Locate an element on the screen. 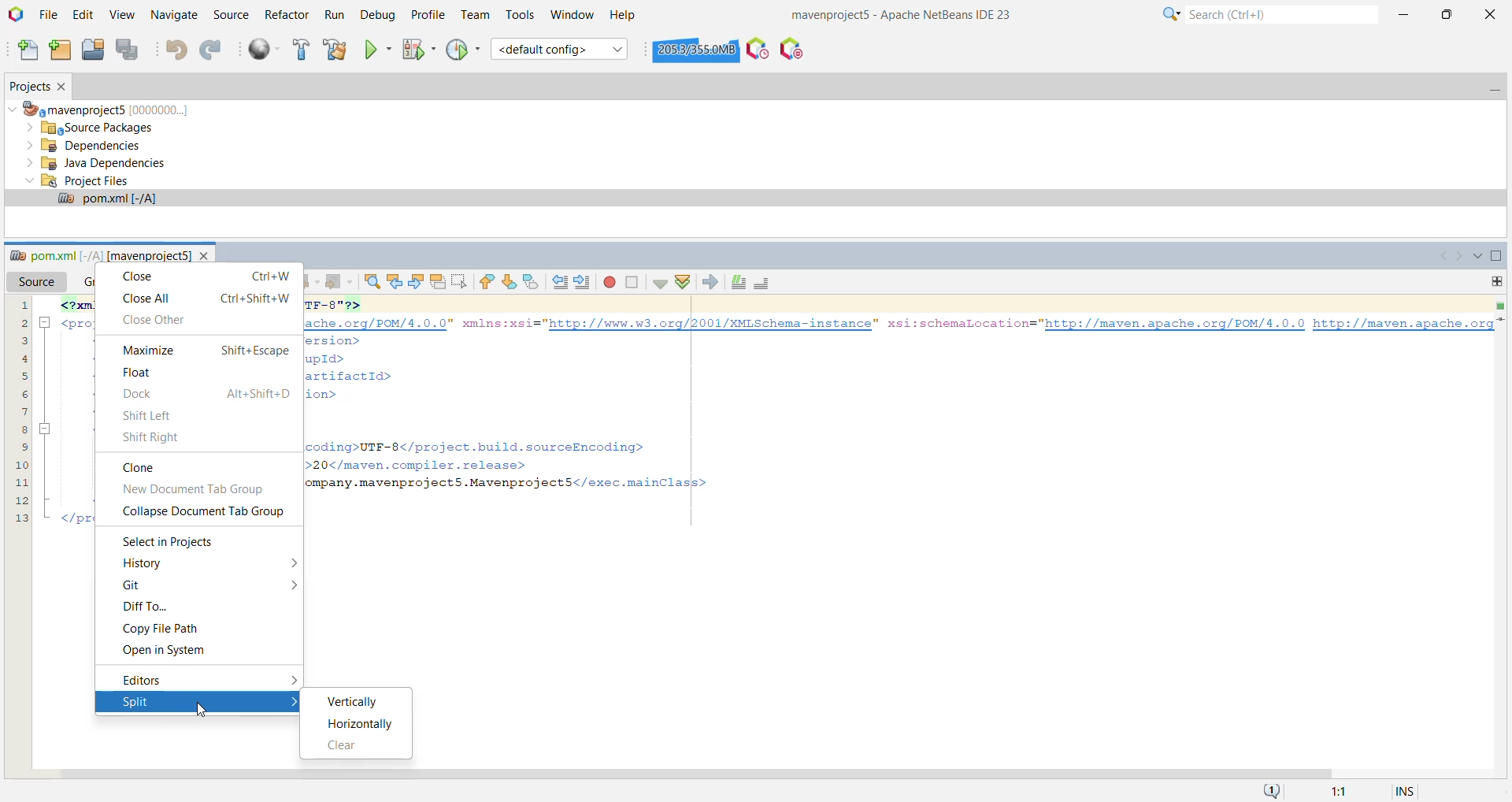 This screenshot has width=1512, height=802. Close is located at coordinates (1491, 13).